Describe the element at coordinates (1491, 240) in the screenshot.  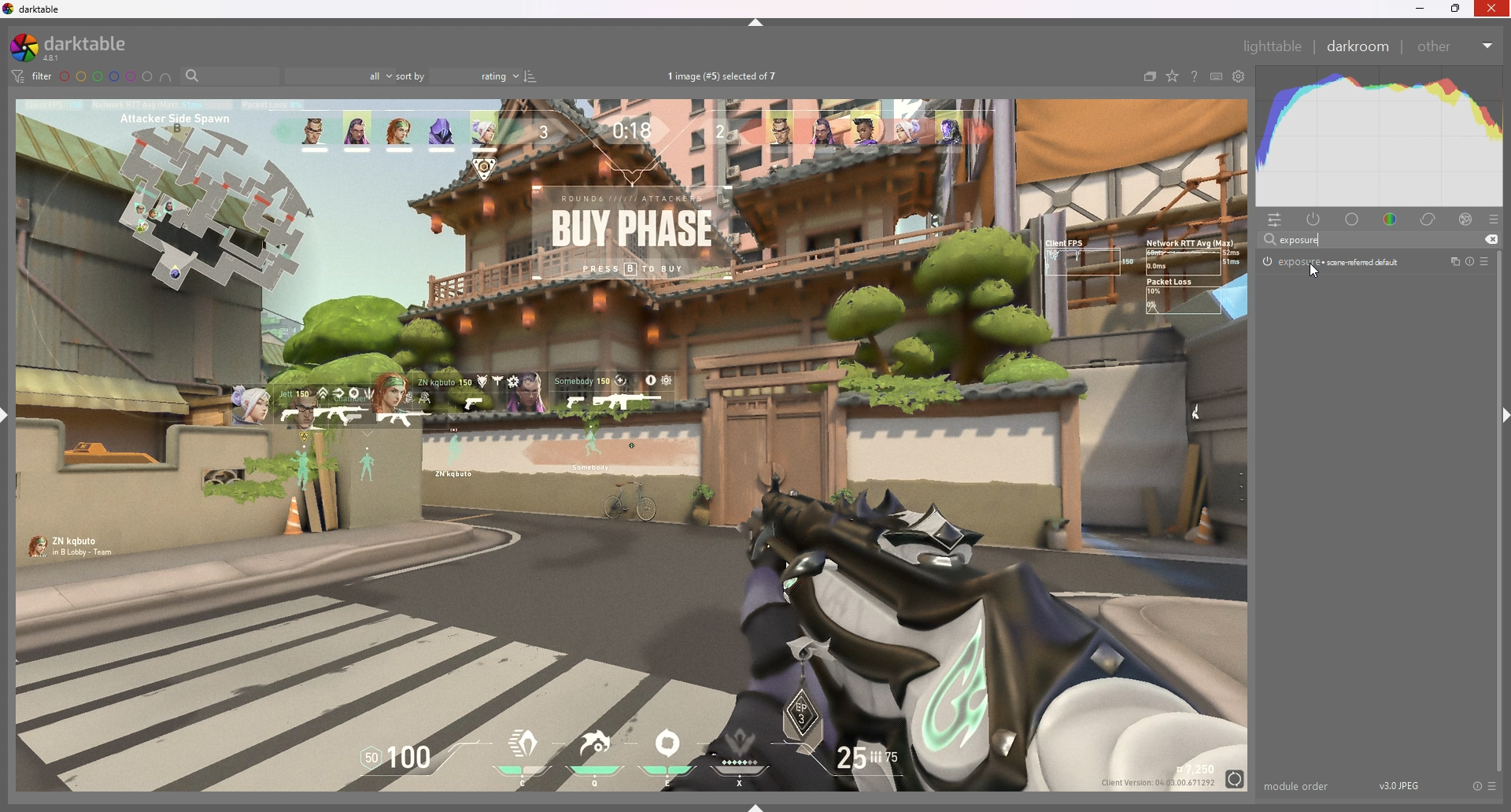
I see `remove` at that location.